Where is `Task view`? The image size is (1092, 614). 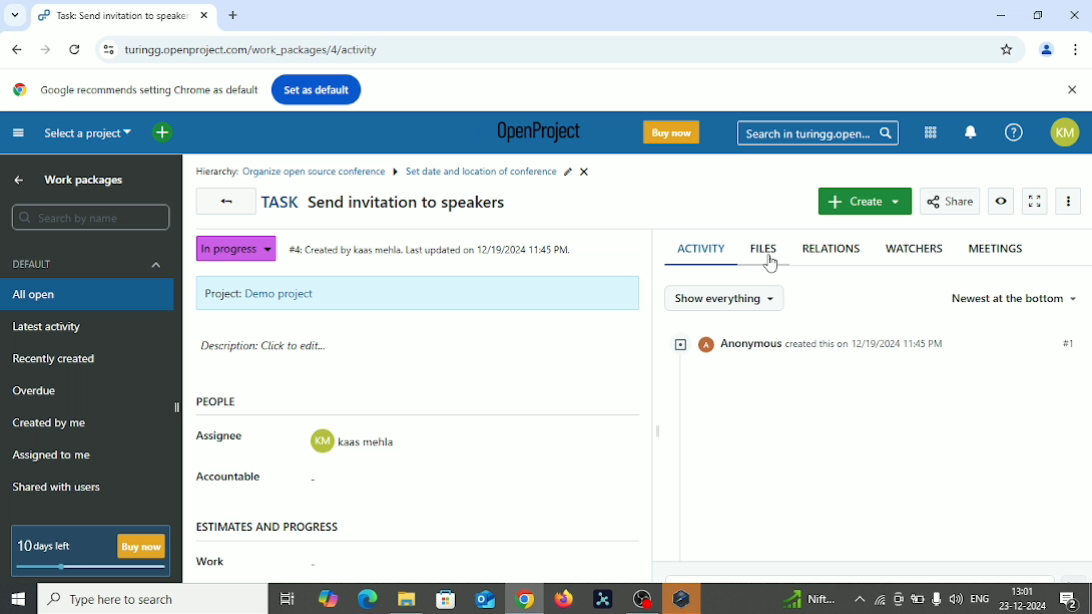 Task view is located at coordinates (287, 601).